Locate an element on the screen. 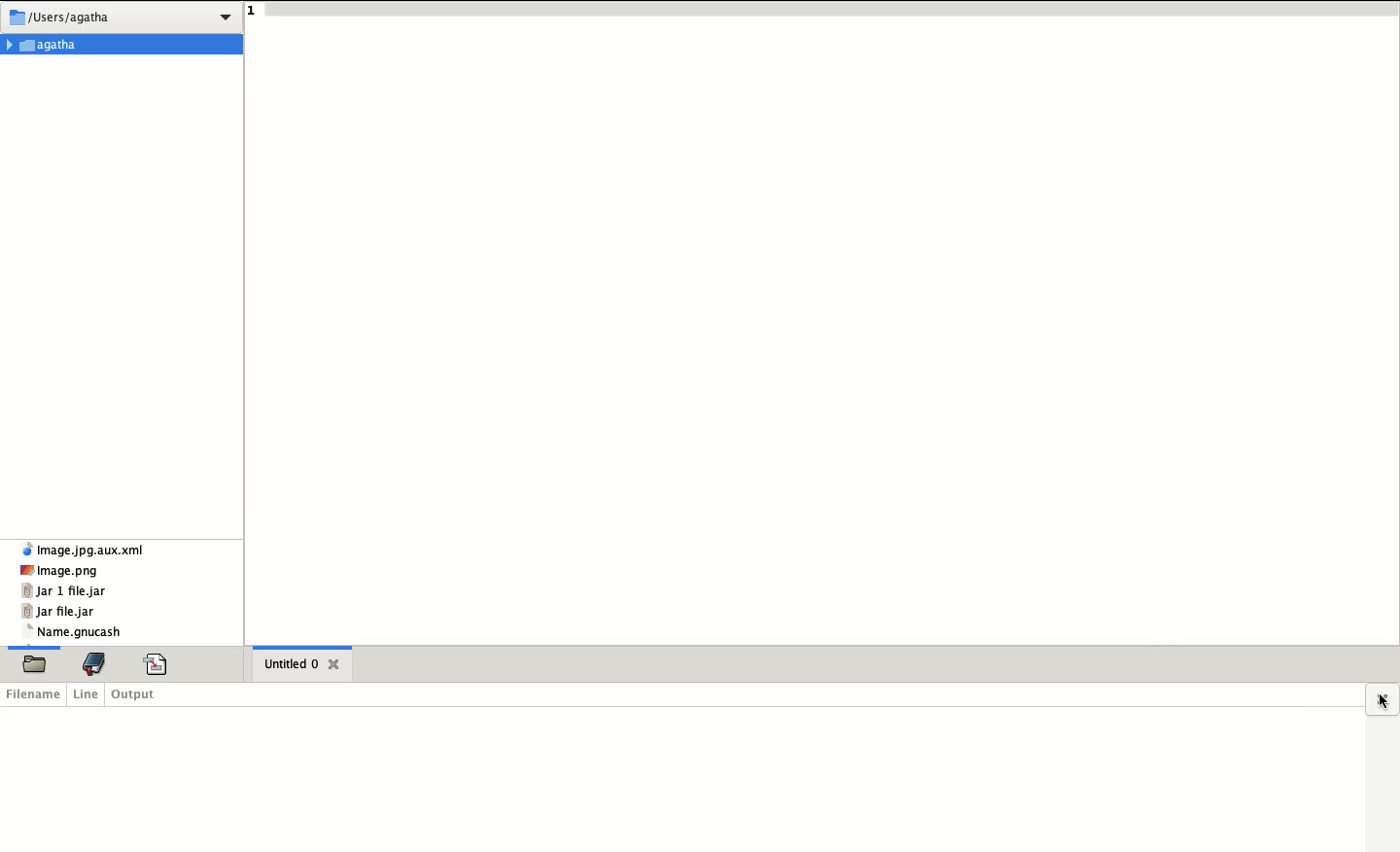 This screenshot has height=852, width=1400. close is located at coordinates (334, 664).